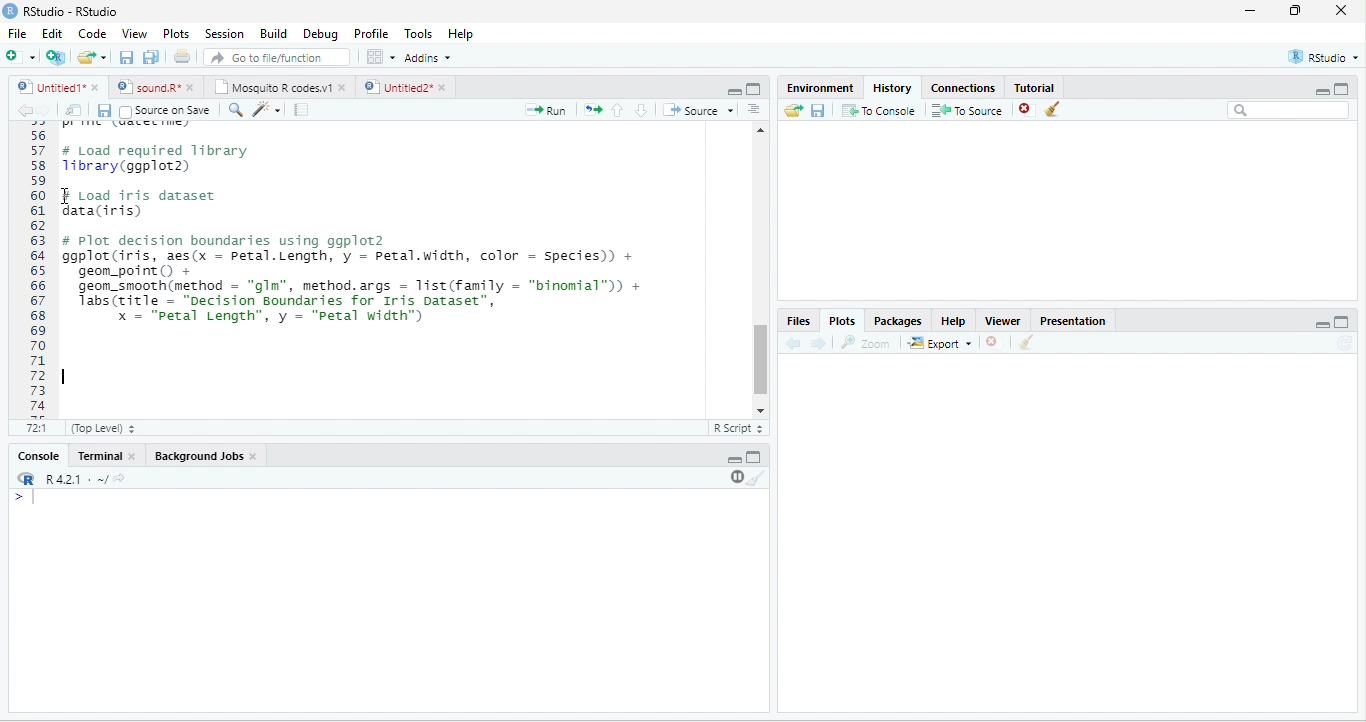 The width and height of the screenshot is (1366, 722). What do you see at coordinates (265, 111) in the screenshot?
I see `tools` at bounding box center [265, 111].